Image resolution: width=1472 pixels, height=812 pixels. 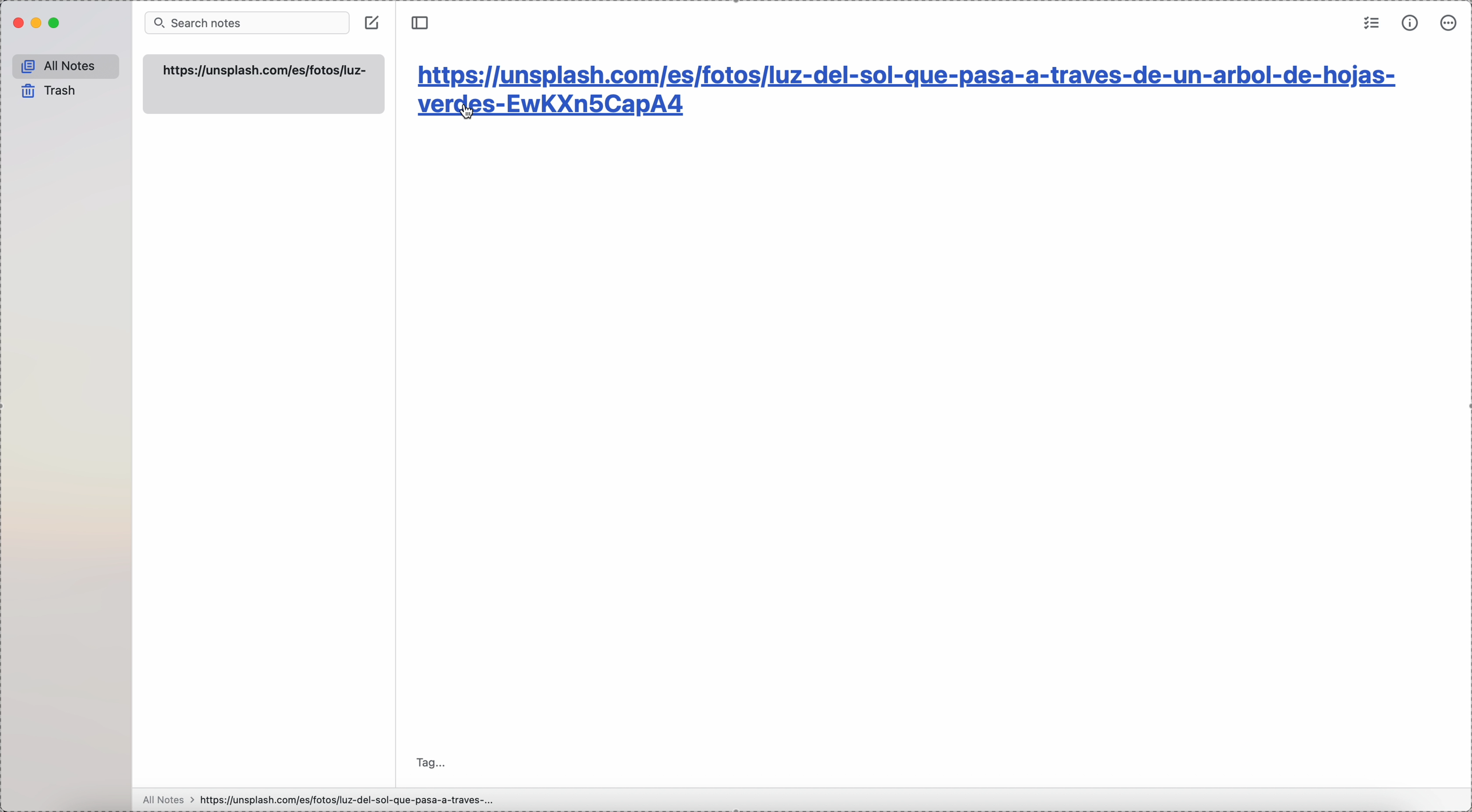 I want to click on tag, so click(x=429, y=761).